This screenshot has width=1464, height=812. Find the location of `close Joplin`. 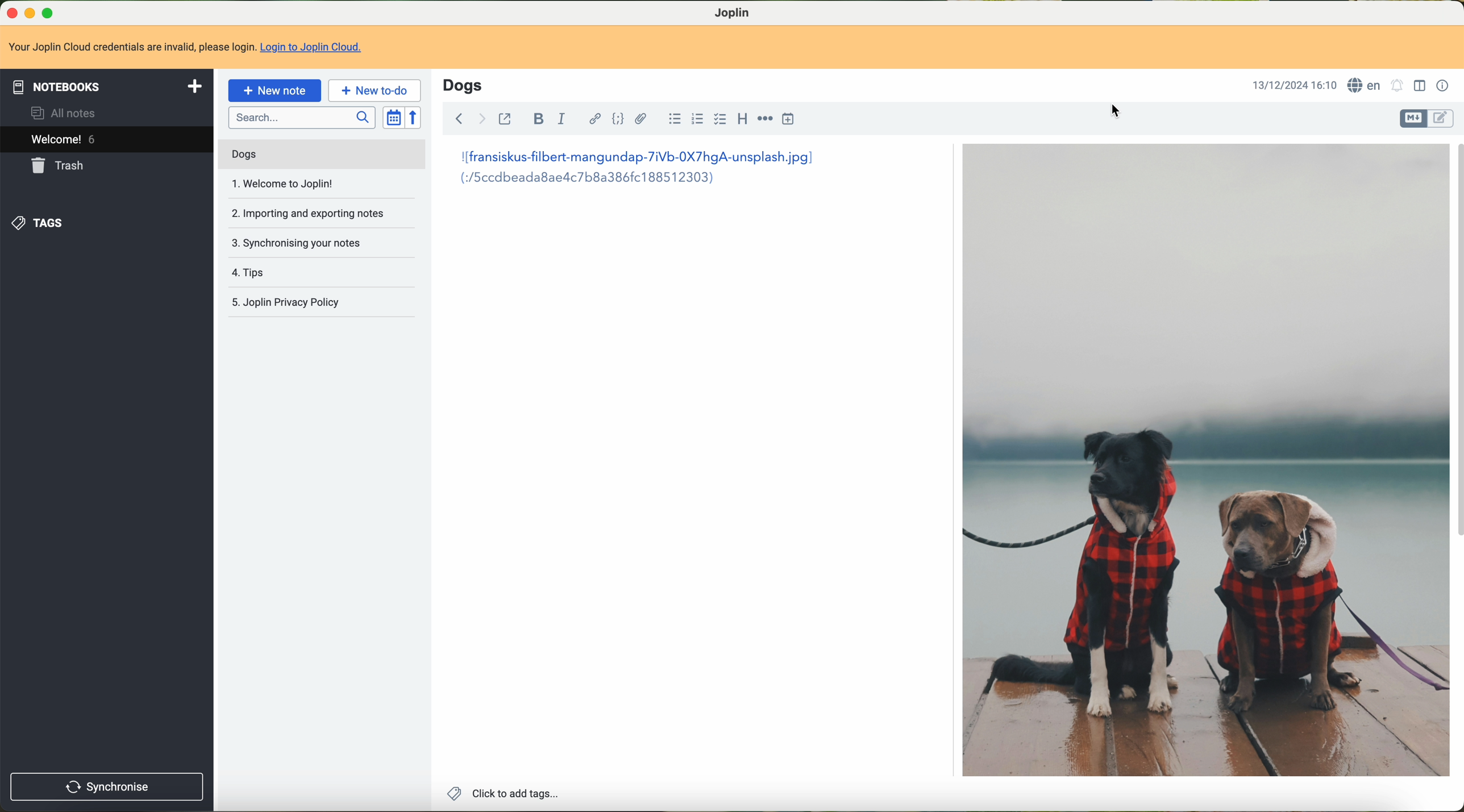

close Joplin is located at coordinates (9, 12).